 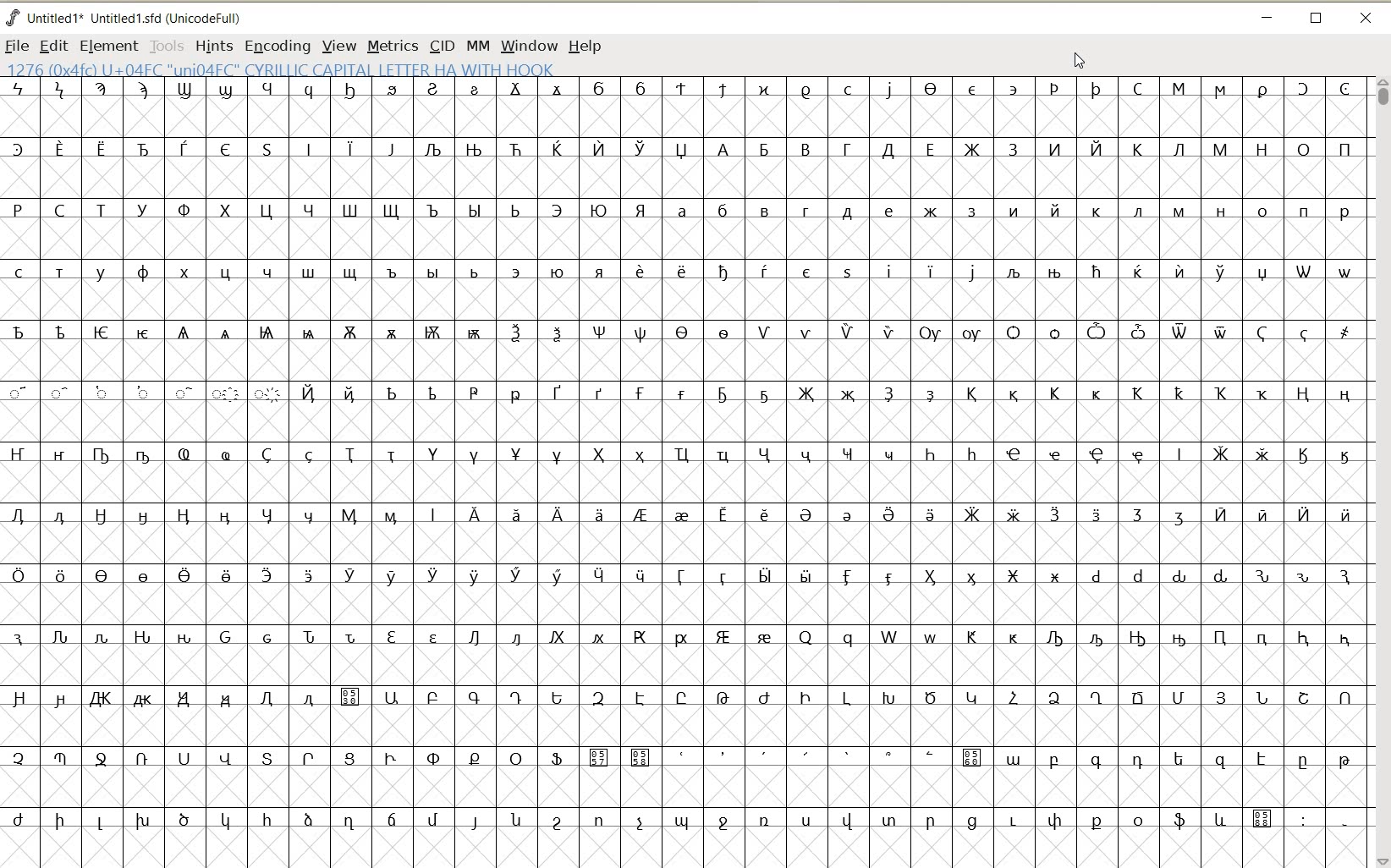 What do you see at coordinates (339, 45) in the screenshot?
I see `VIEW` at bounding box center [339, 45].